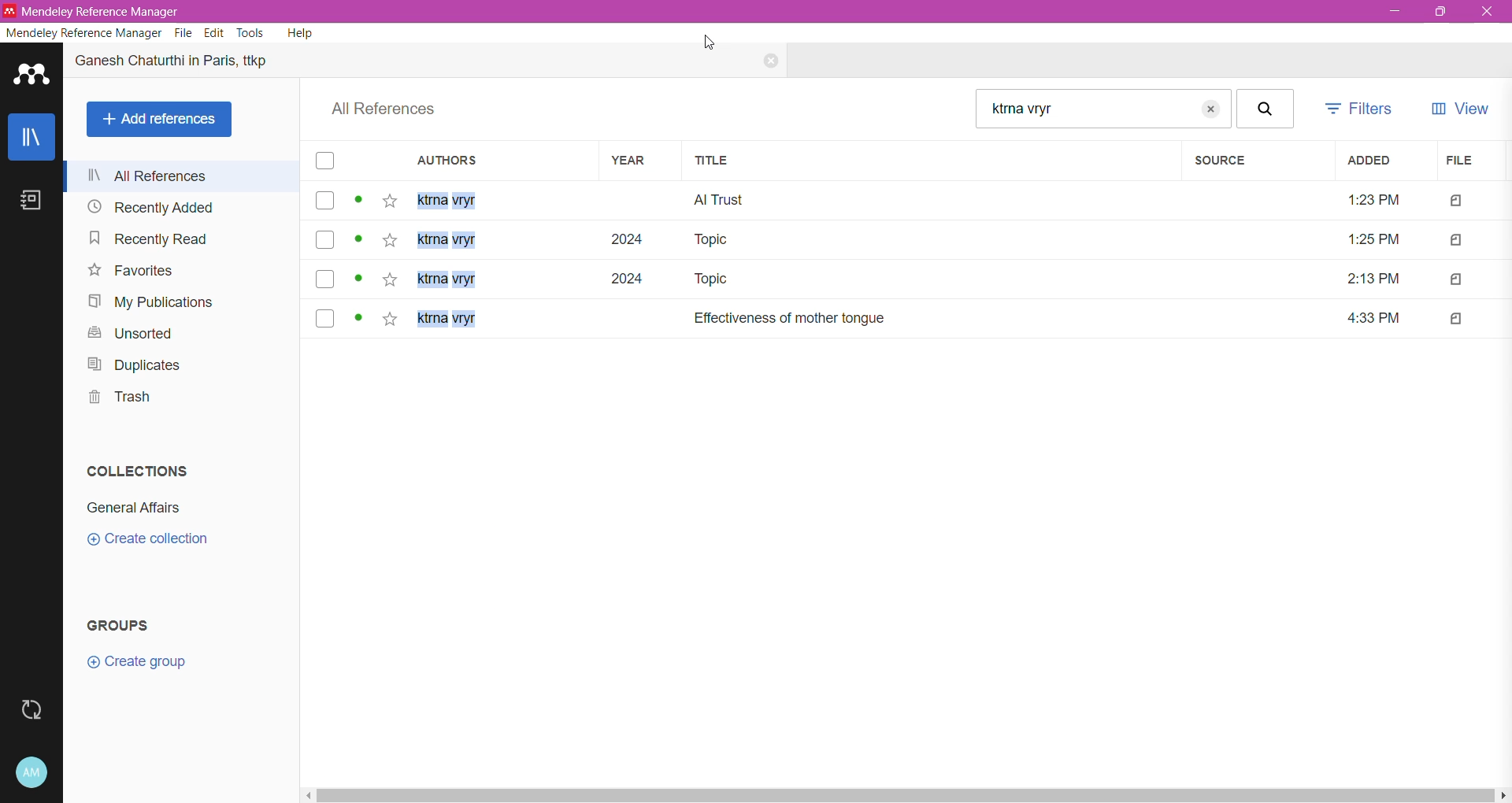 This screenshot has height=803, width=1512. I want to click on Recently Read, so click(150, 240).